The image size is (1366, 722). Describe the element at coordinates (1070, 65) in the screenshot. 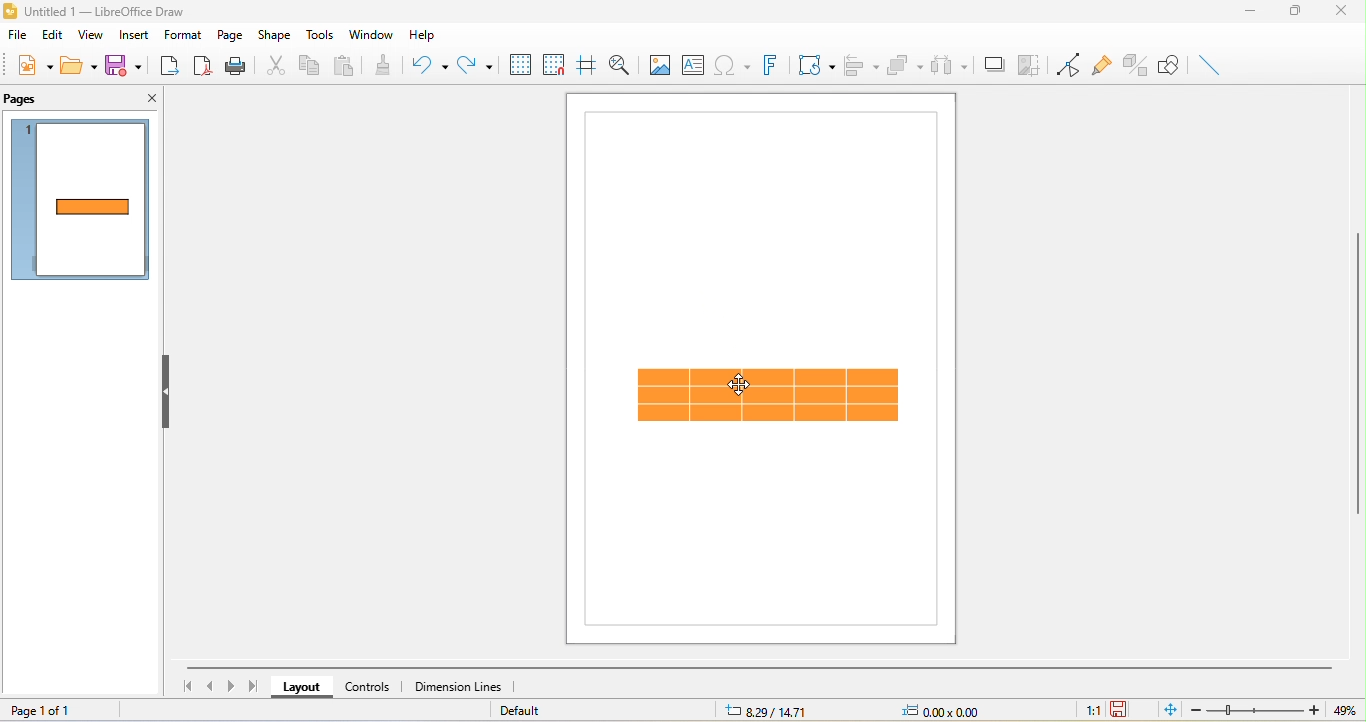

I see `toggle point edit mode` at that location.